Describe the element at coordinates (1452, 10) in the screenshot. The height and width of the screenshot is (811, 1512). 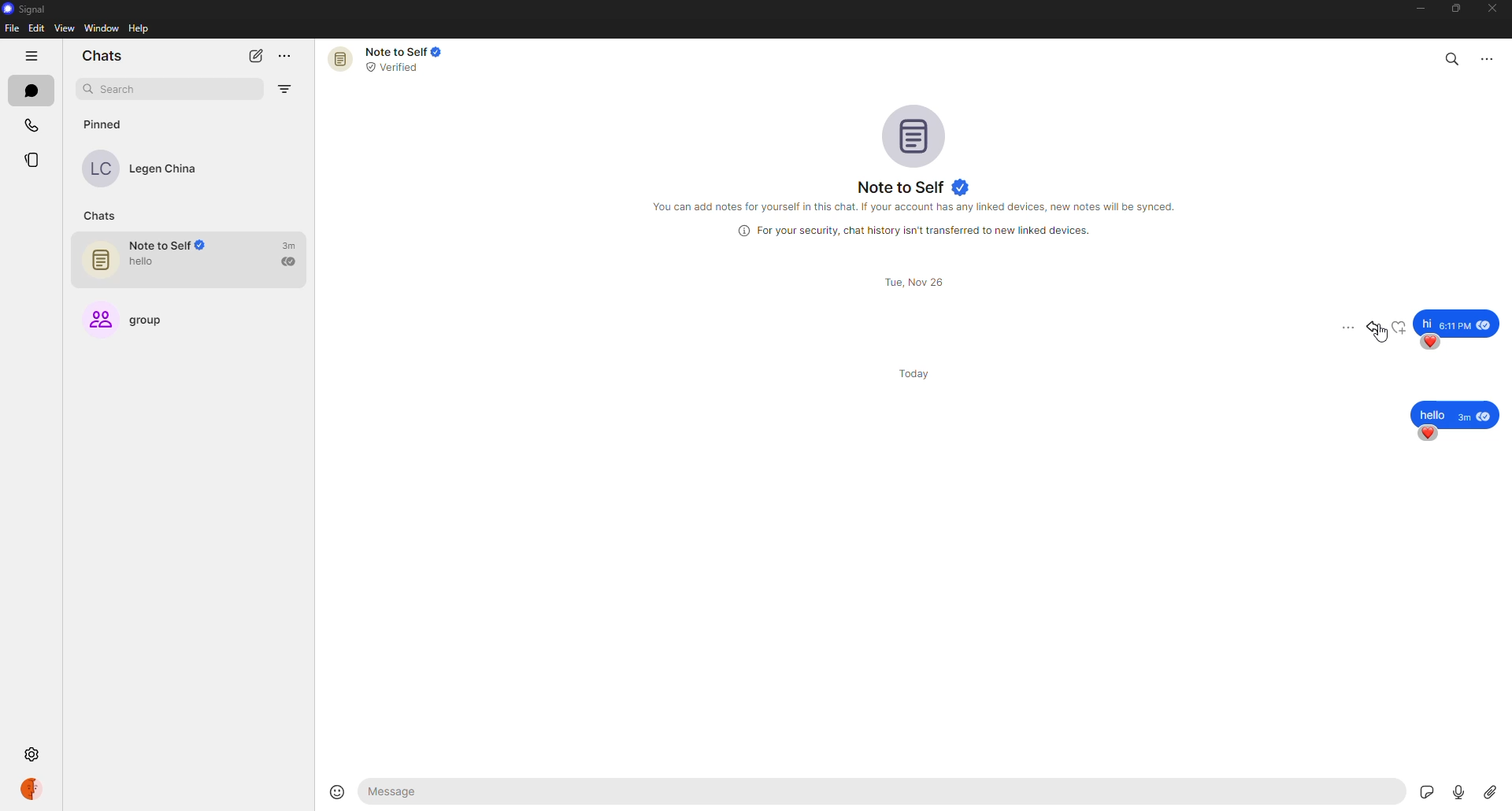
I see `maximize` at that location.